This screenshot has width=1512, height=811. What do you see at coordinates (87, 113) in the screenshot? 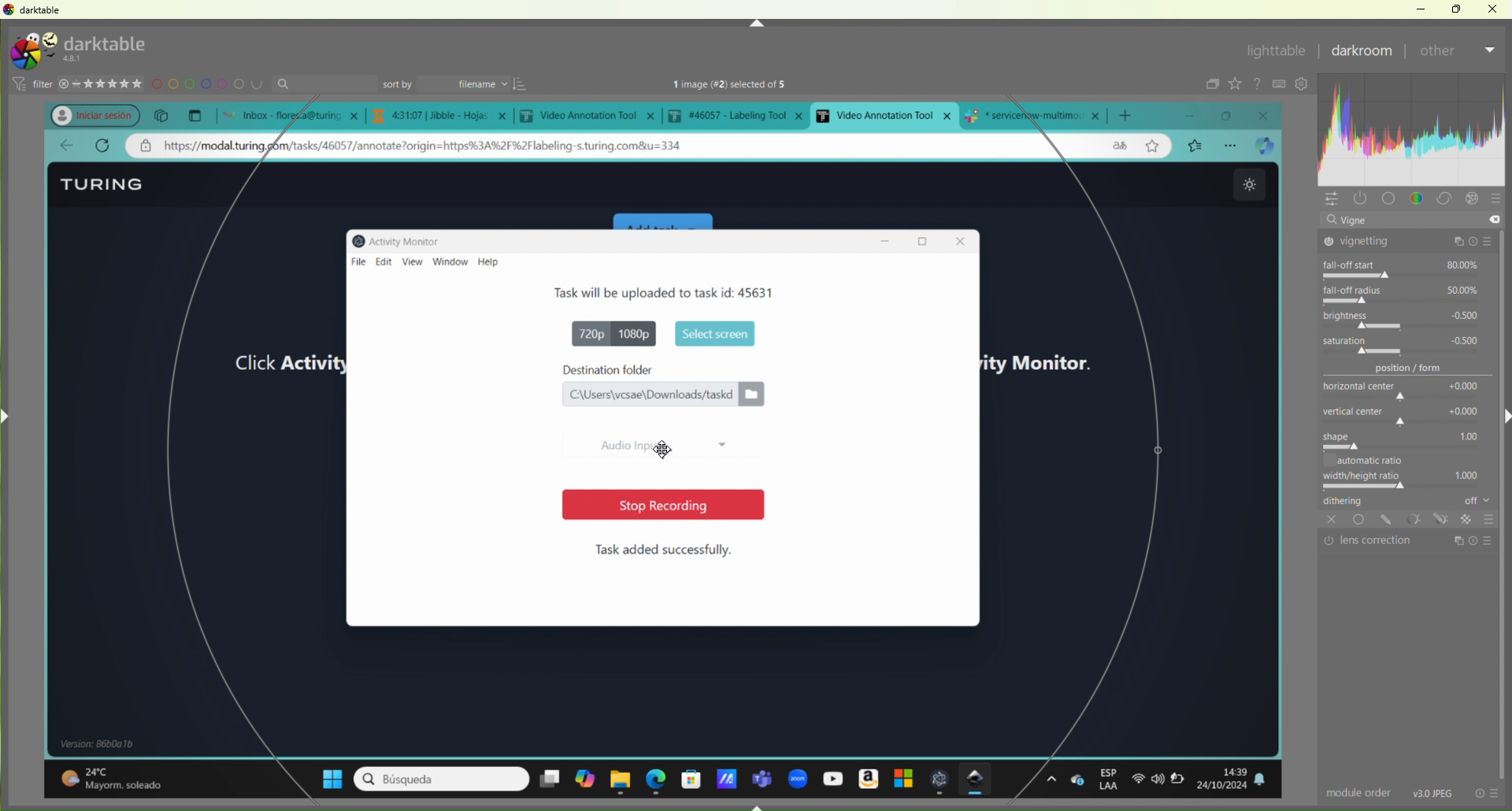
I see `profile` at bounding box center [87, 113].